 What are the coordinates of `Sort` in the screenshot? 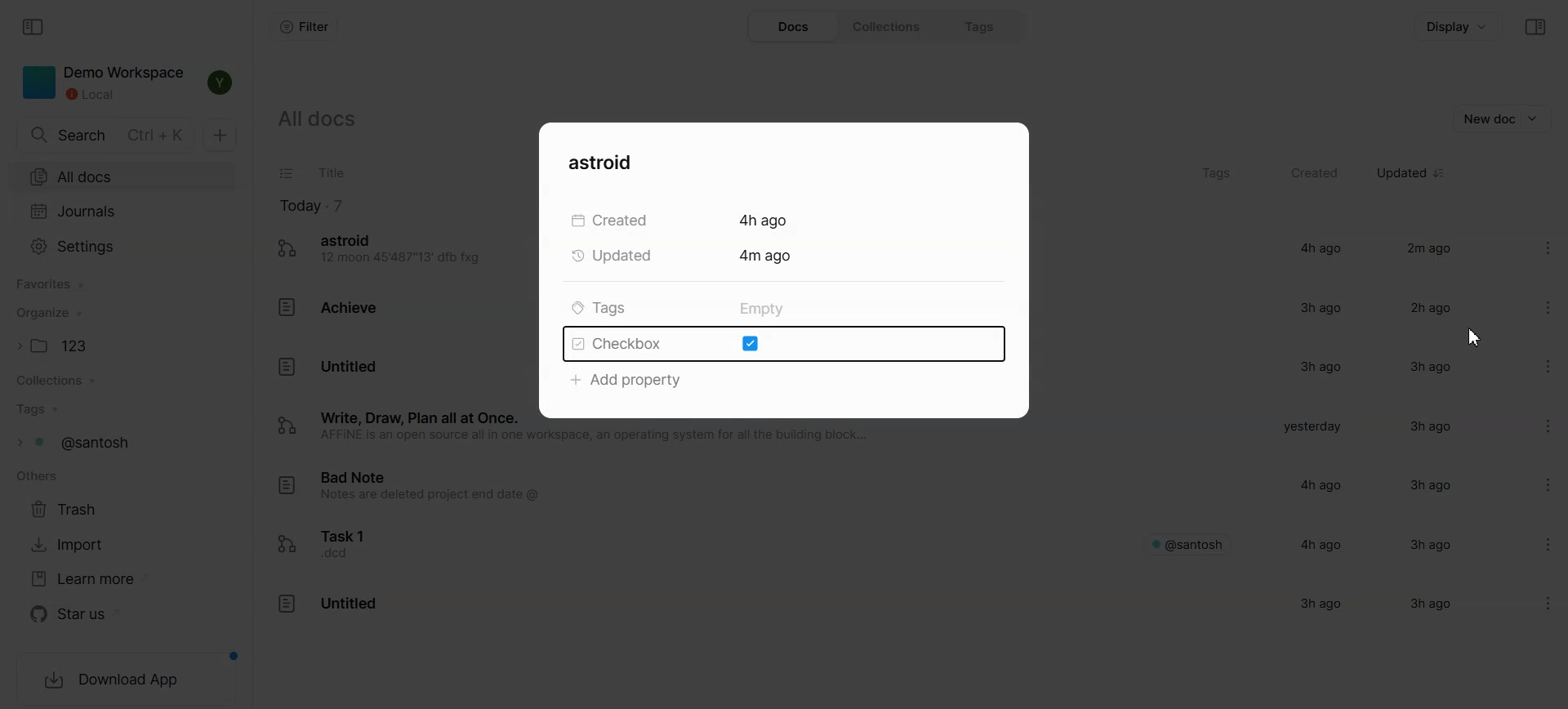 It's located at (1441, 173).